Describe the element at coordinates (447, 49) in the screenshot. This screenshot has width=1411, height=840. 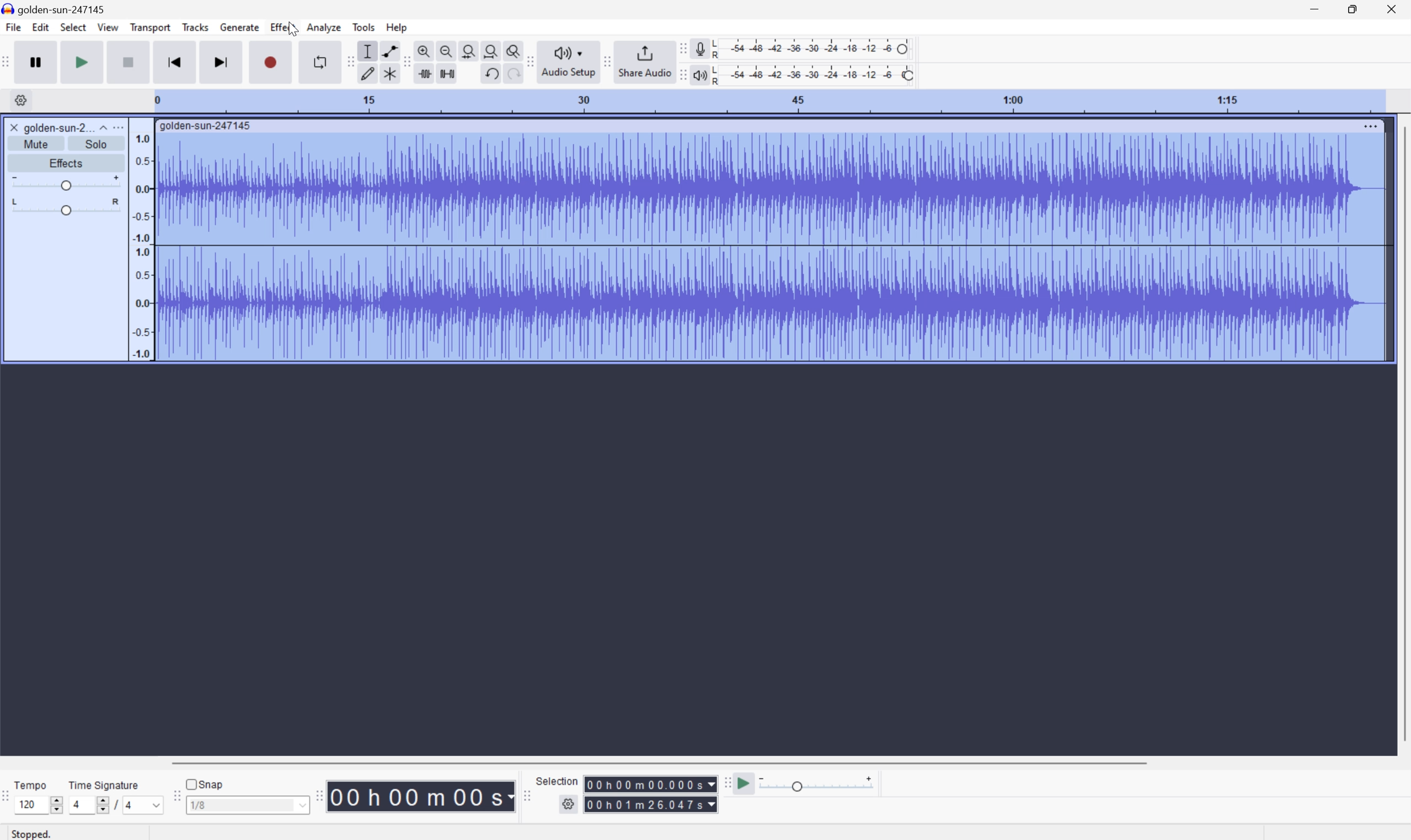
I see `Zoom out` at that location.